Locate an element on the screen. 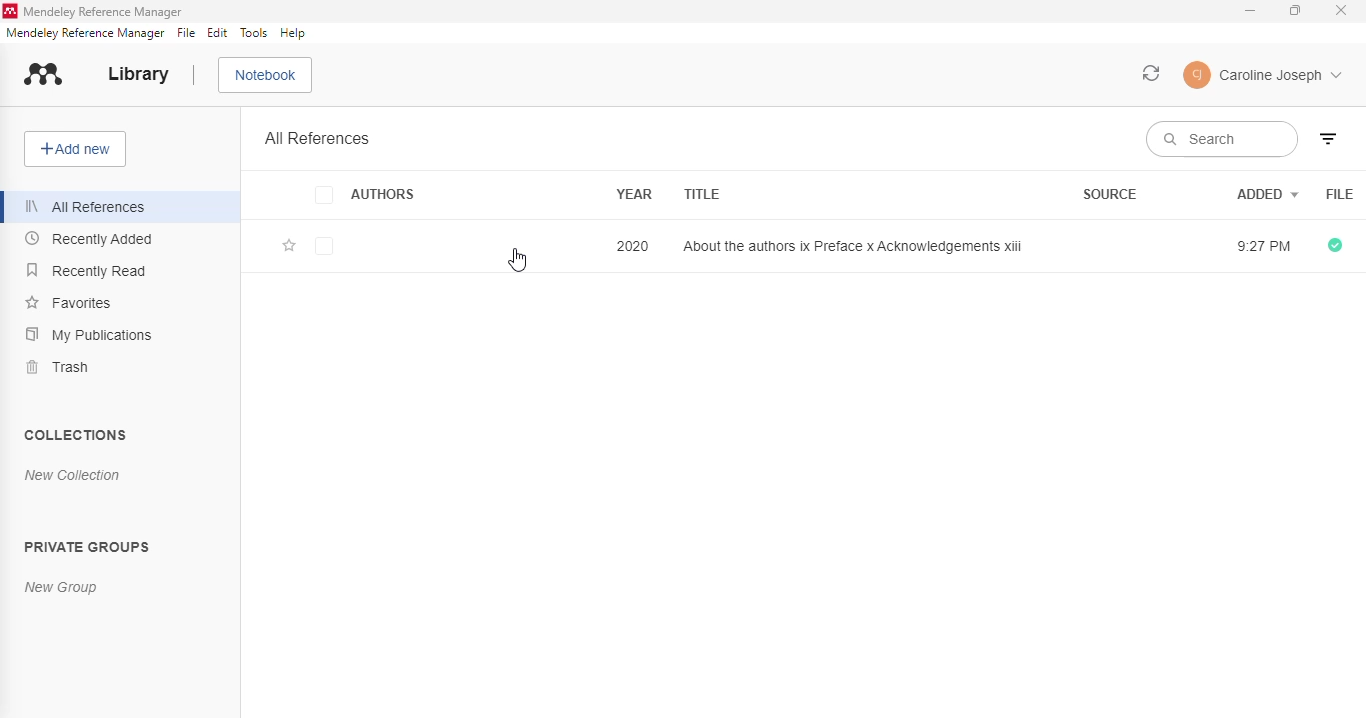 The height and width of the screenshot is (718, 1366). all references is located at coordinates (85, 206).